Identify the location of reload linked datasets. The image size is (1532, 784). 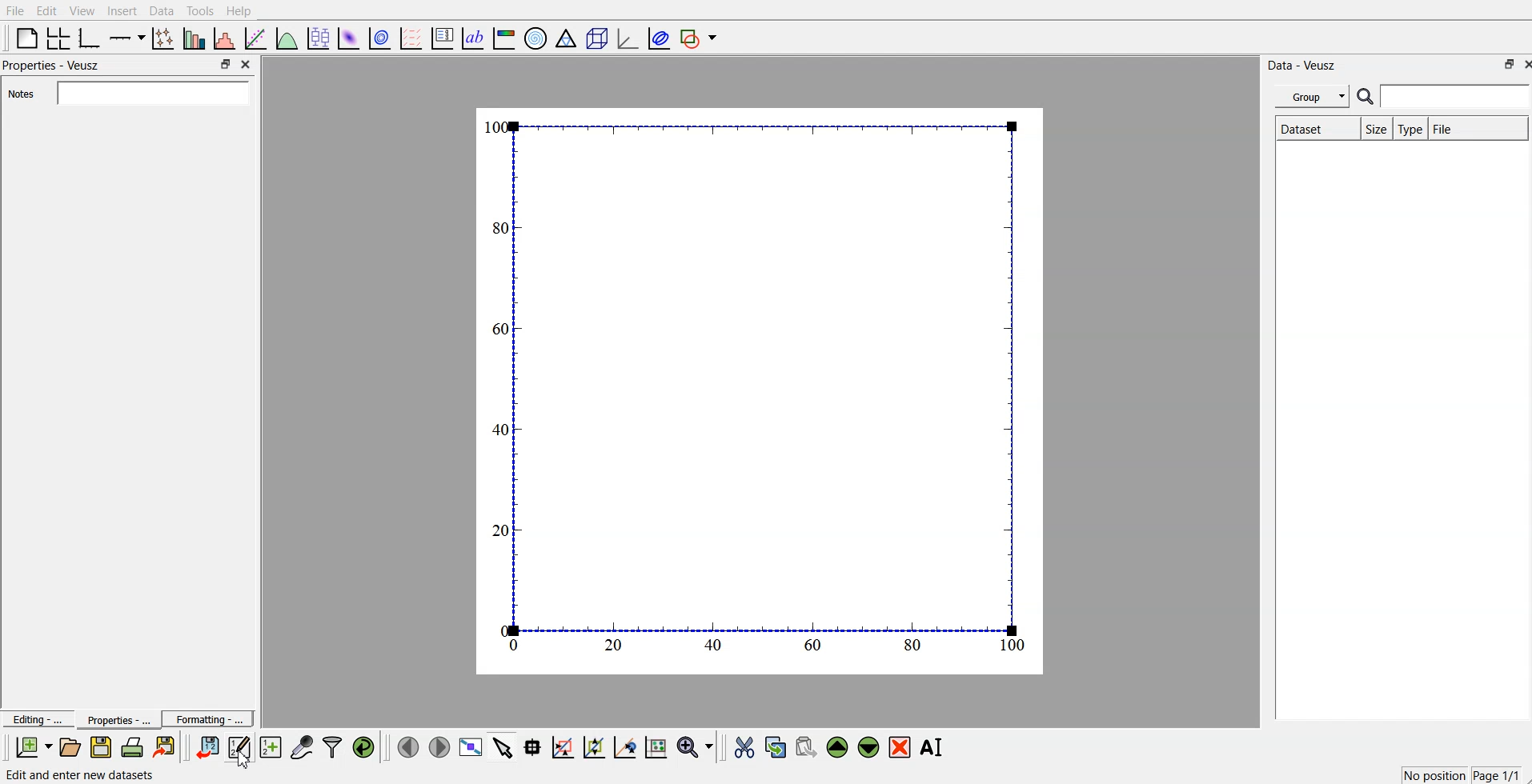
(366, 746).